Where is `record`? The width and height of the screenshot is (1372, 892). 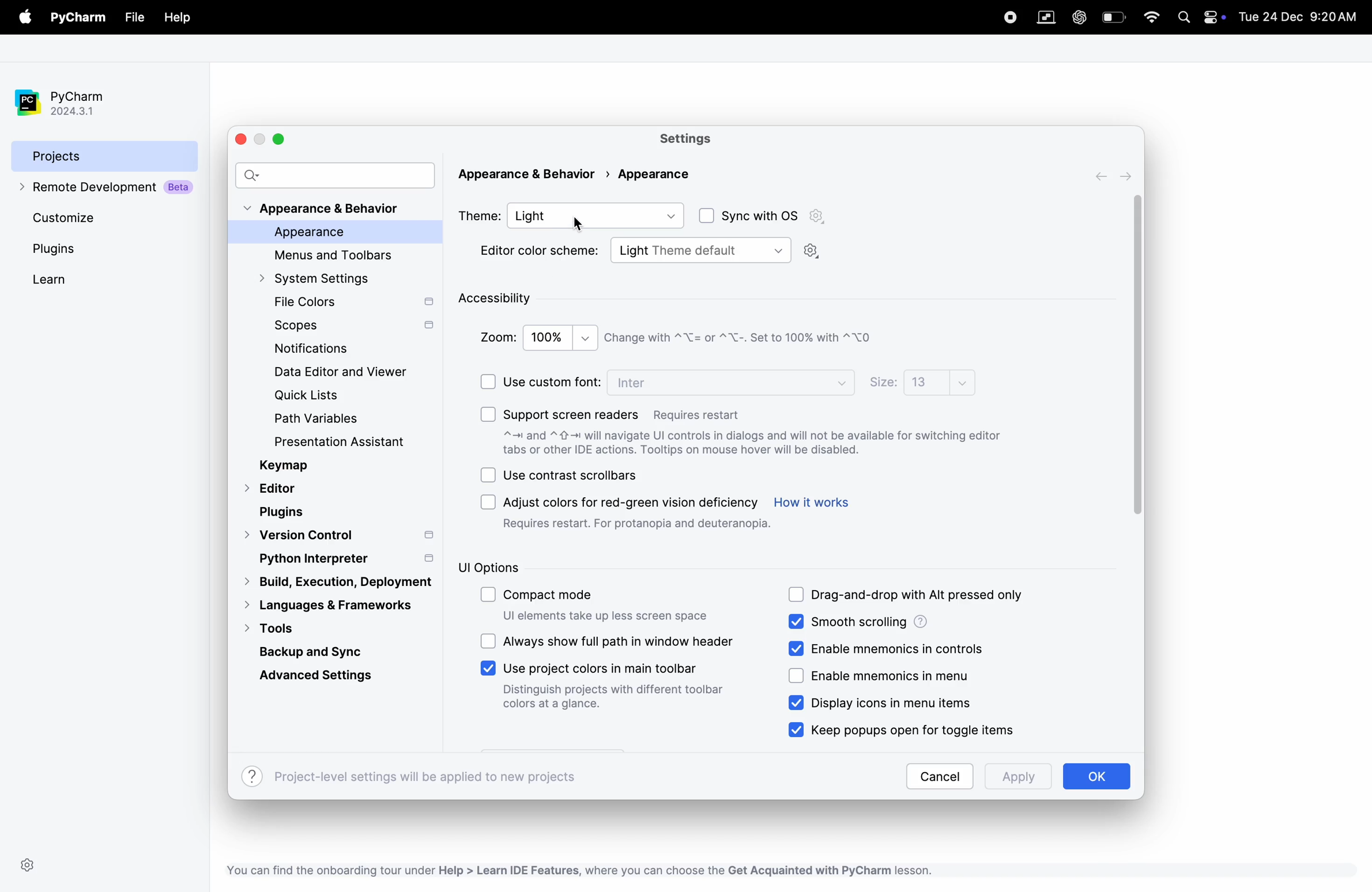
record is located at coordinates (1004, 16).